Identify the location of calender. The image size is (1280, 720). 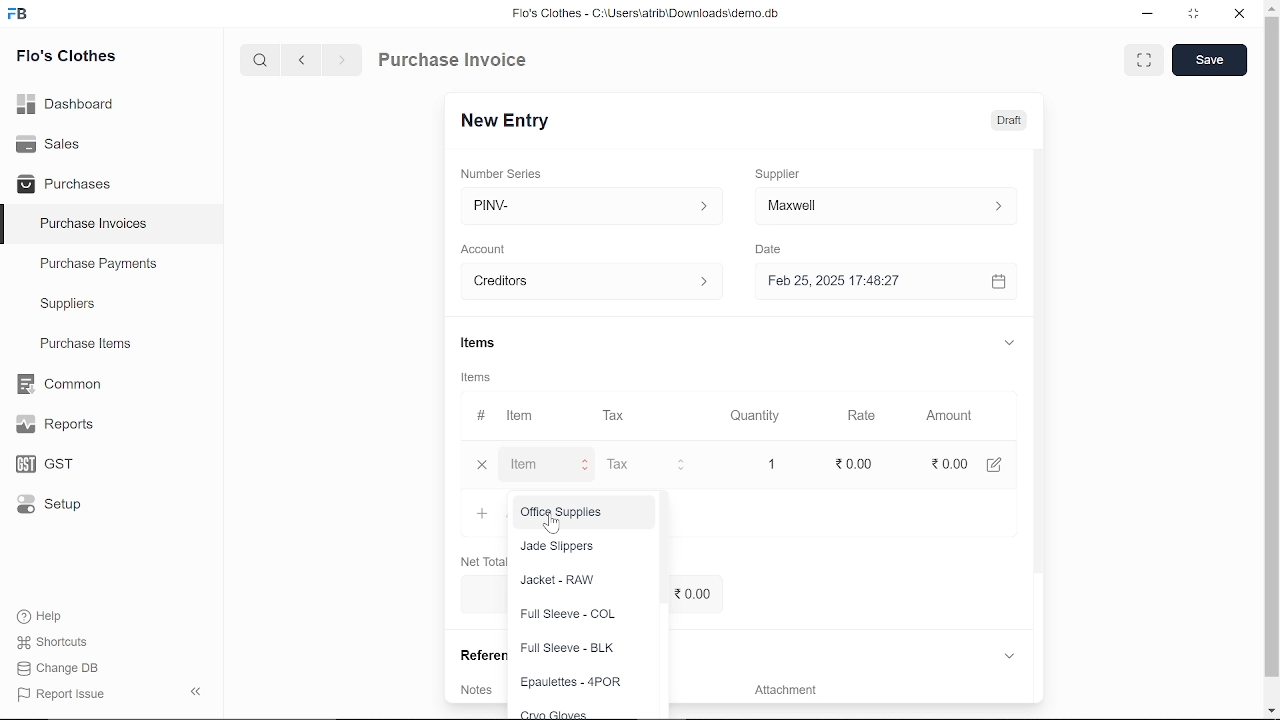
(1006, 282).